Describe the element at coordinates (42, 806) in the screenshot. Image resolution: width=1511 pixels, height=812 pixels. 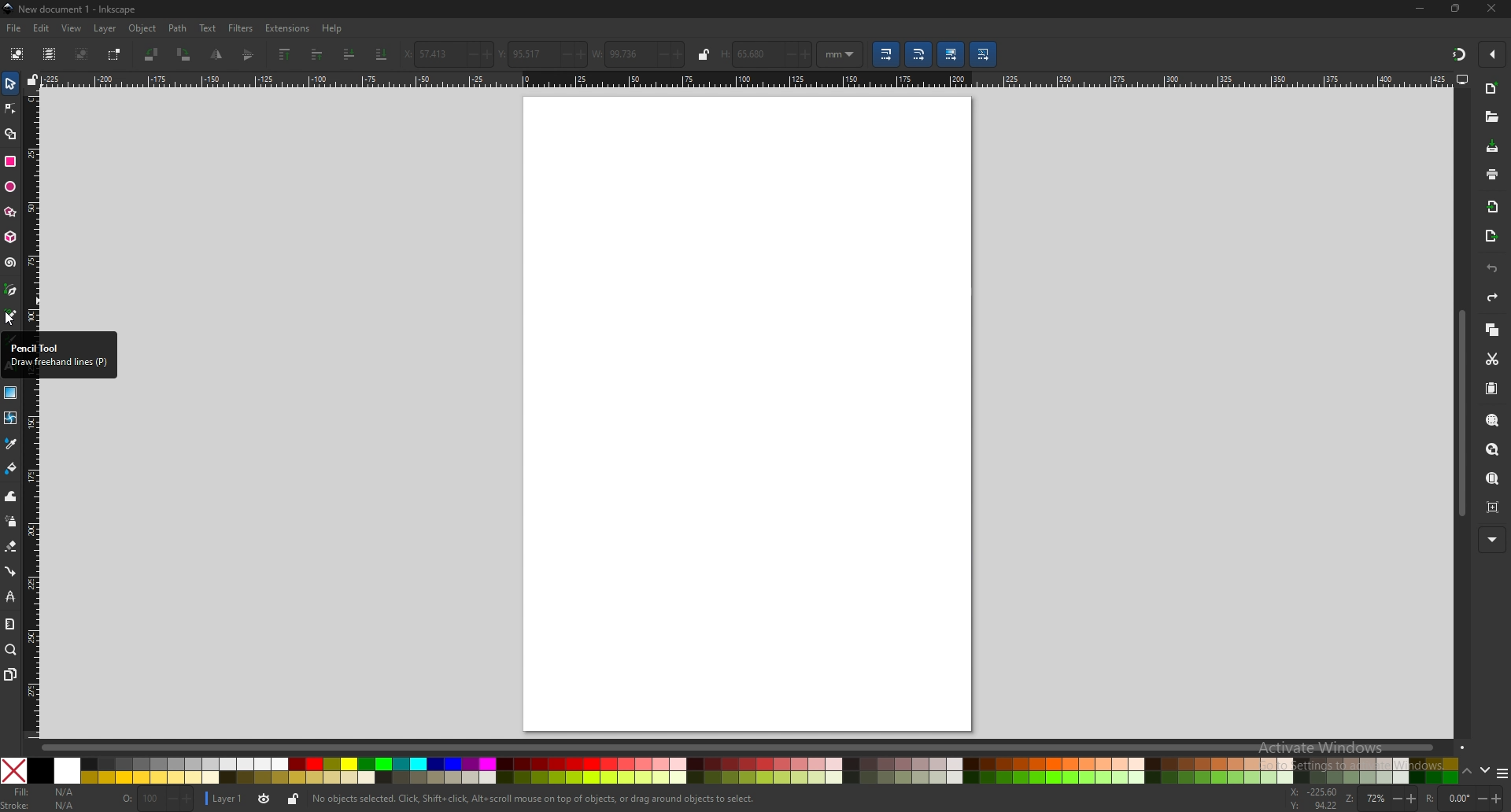
I see `stroke` at that location.